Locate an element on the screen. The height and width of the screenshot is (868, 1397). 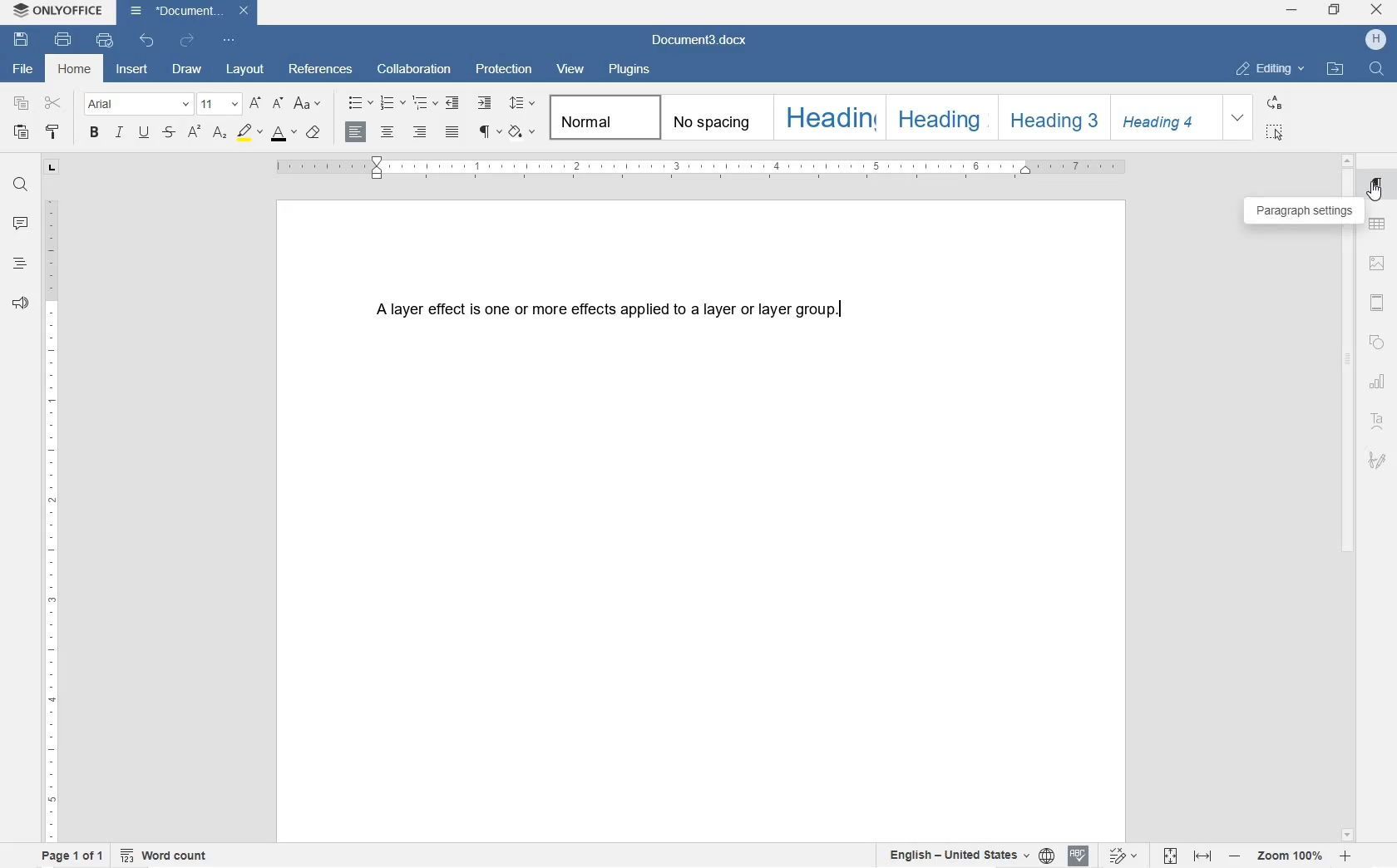
HP is located at coordinates (1373, 41).